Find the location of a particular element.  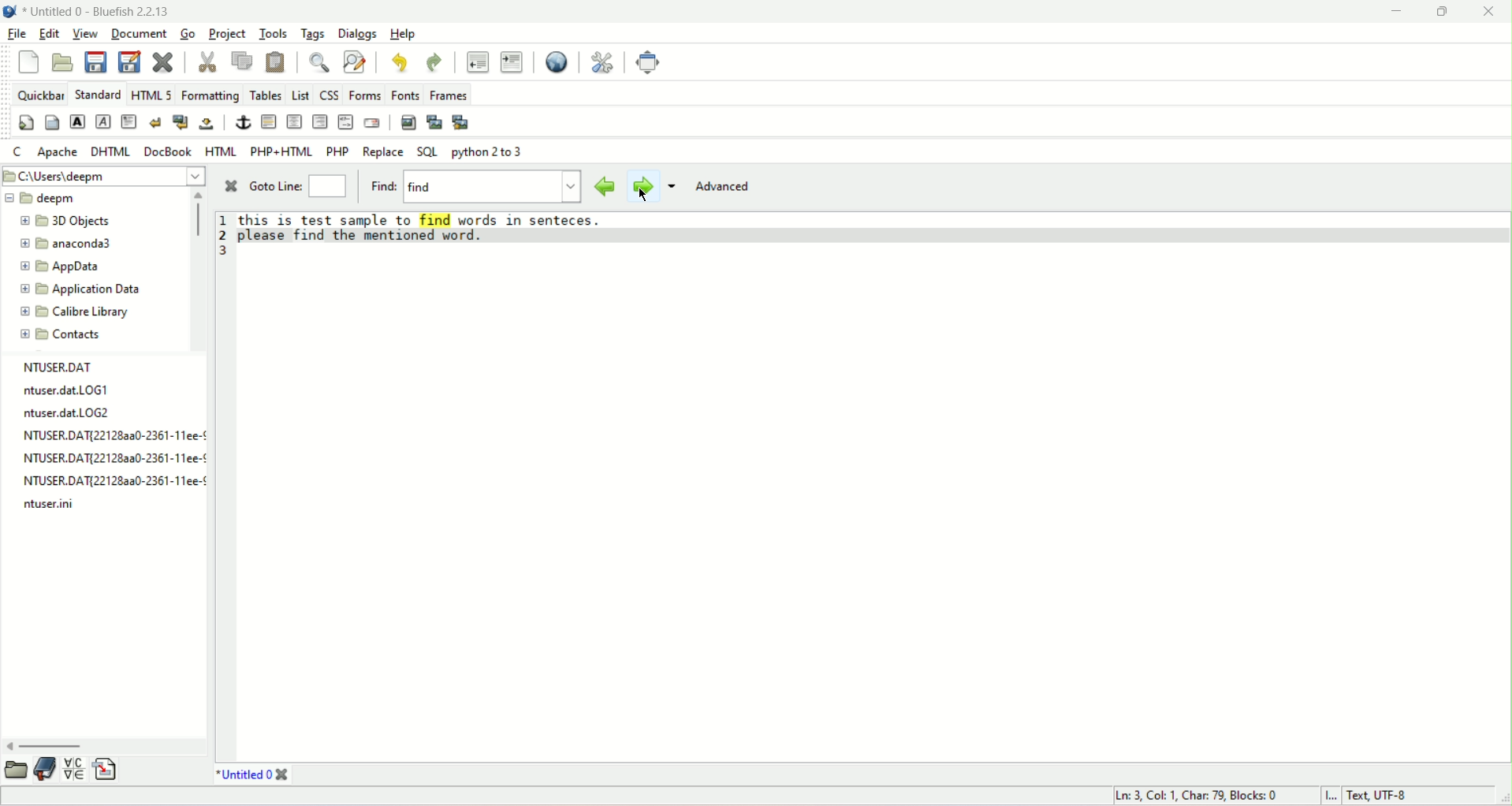

paste is located at coordinates (277, 62).